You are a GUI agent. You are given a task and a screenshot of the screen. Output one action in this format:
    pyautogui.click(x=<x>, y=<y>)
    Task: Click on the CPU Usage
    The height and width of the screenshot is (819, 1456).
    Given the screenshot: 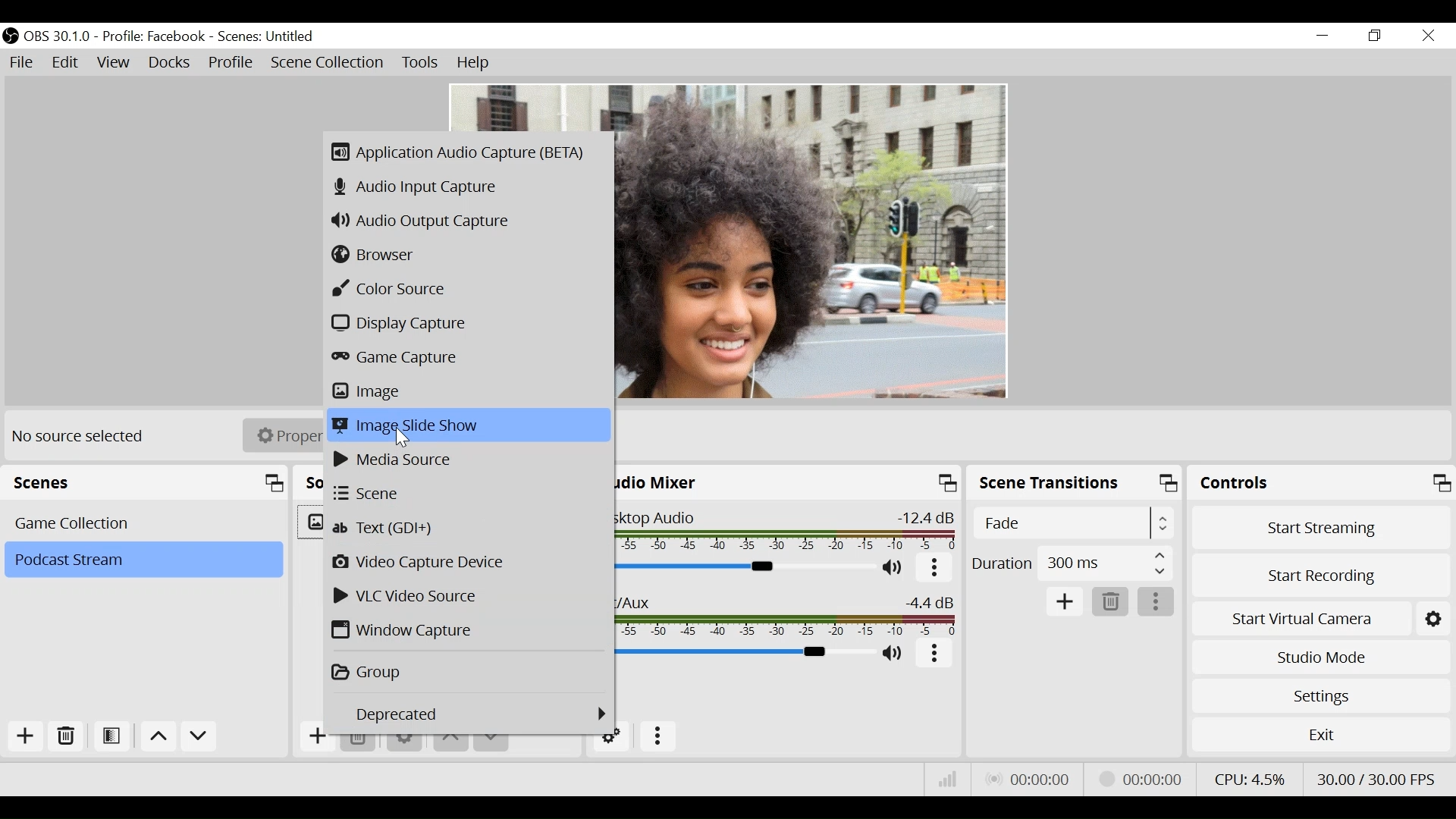 What is the action you would take?
    pyautogui.click(x=1247, y=777)
    